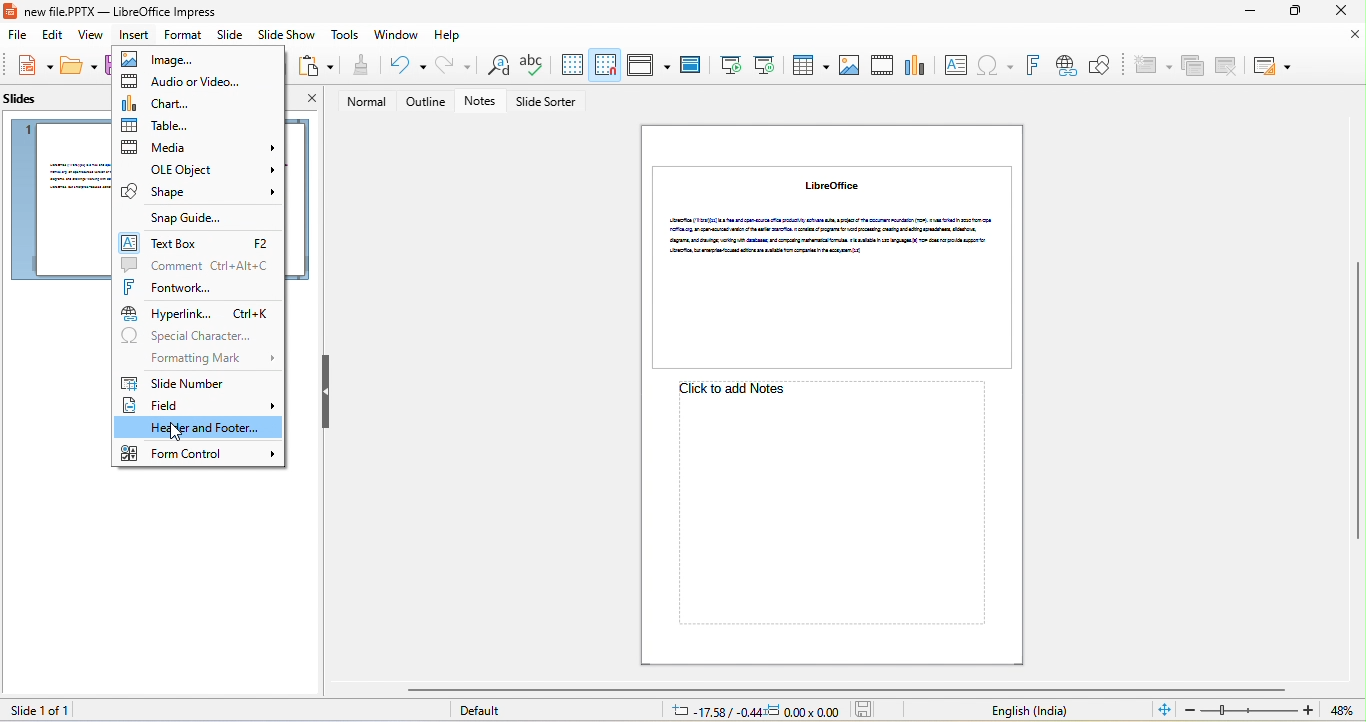  What do you see at coordinates (80, 67) in the screenshot?
I see `open` at bounding box center [80, 67].